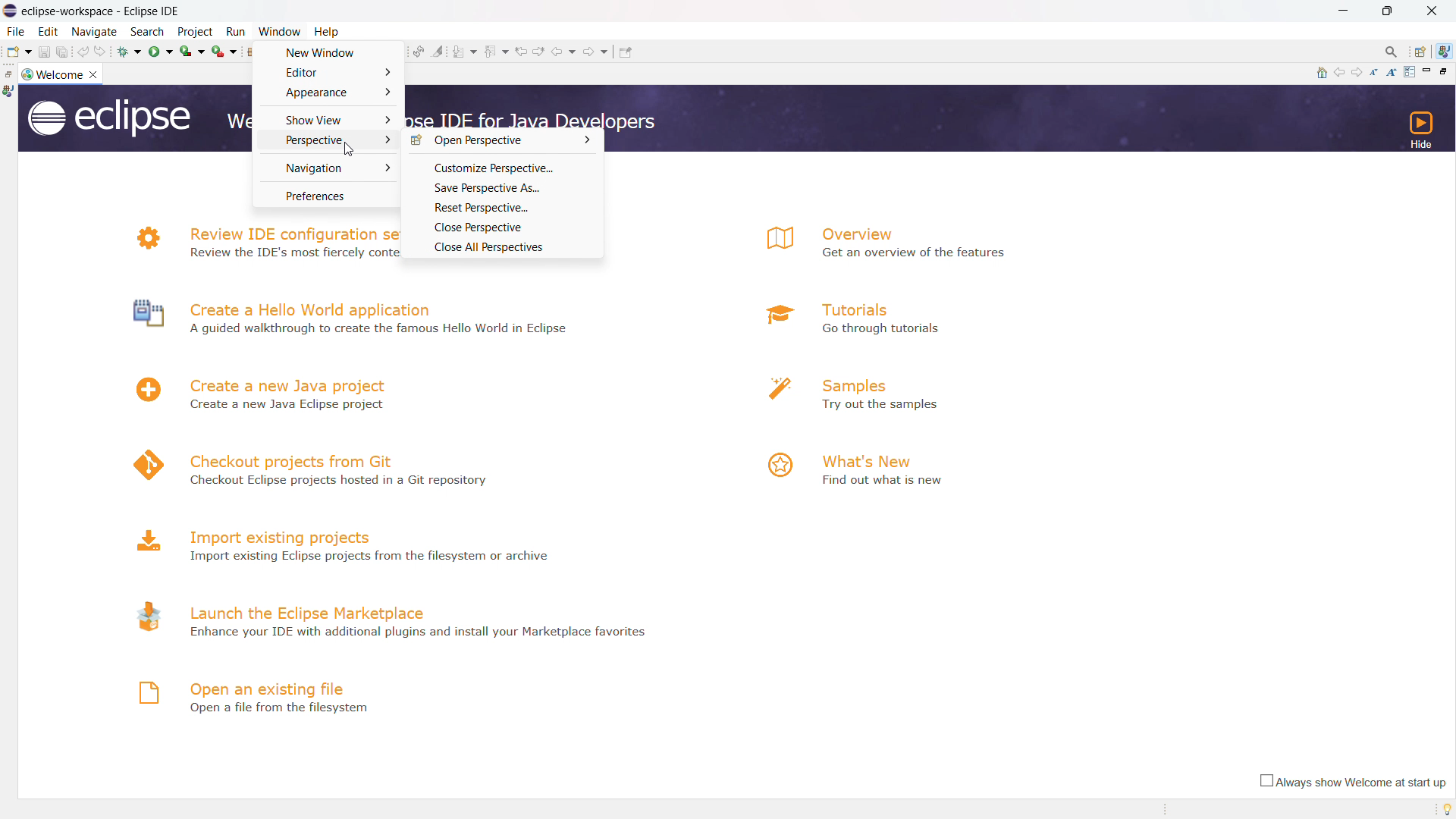  Describe the element at coordinates (140, 464) in the screenshot. I see `logo` at that location.